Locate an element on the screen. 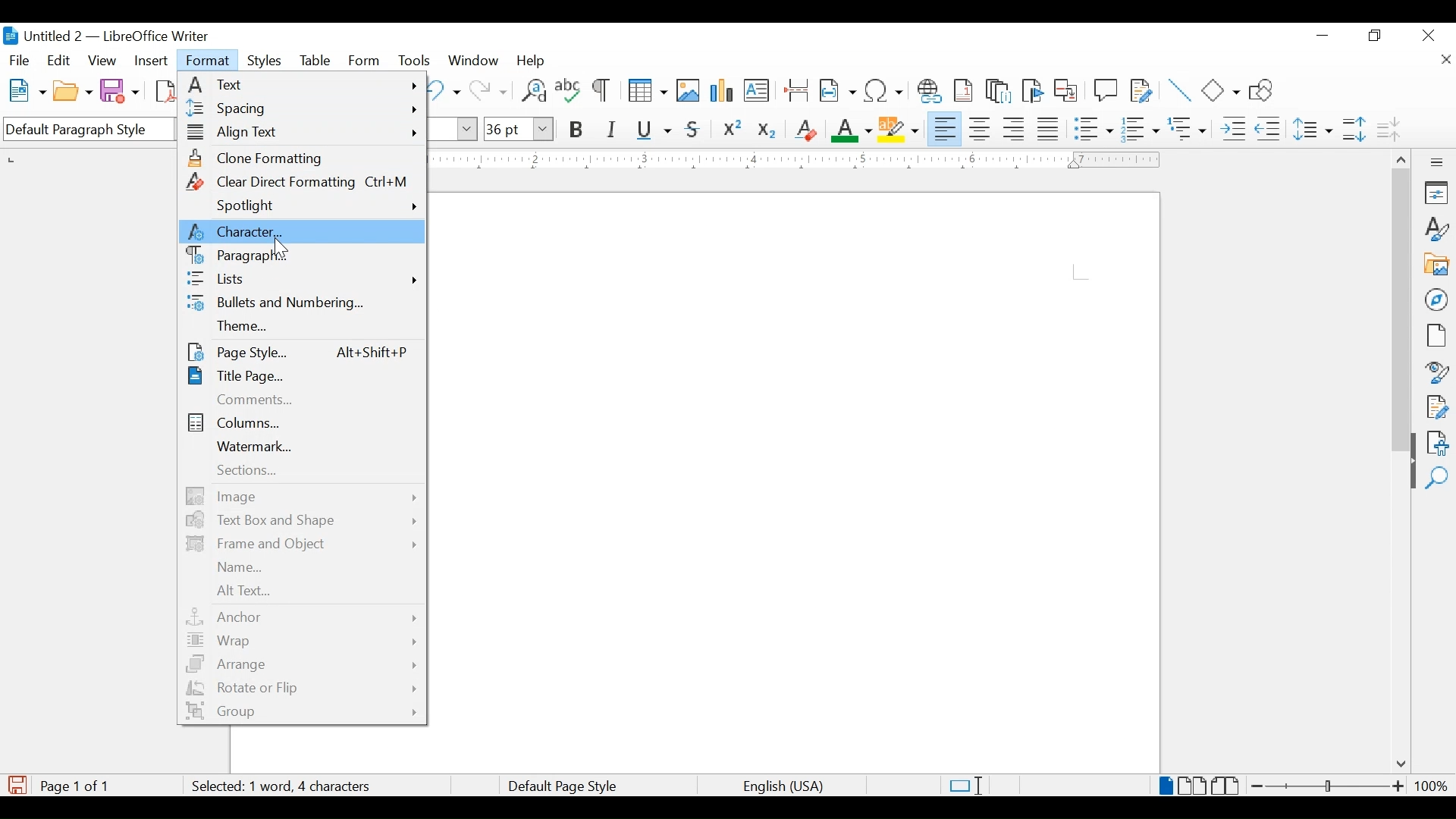  page is located at coordinates (1436, 335).